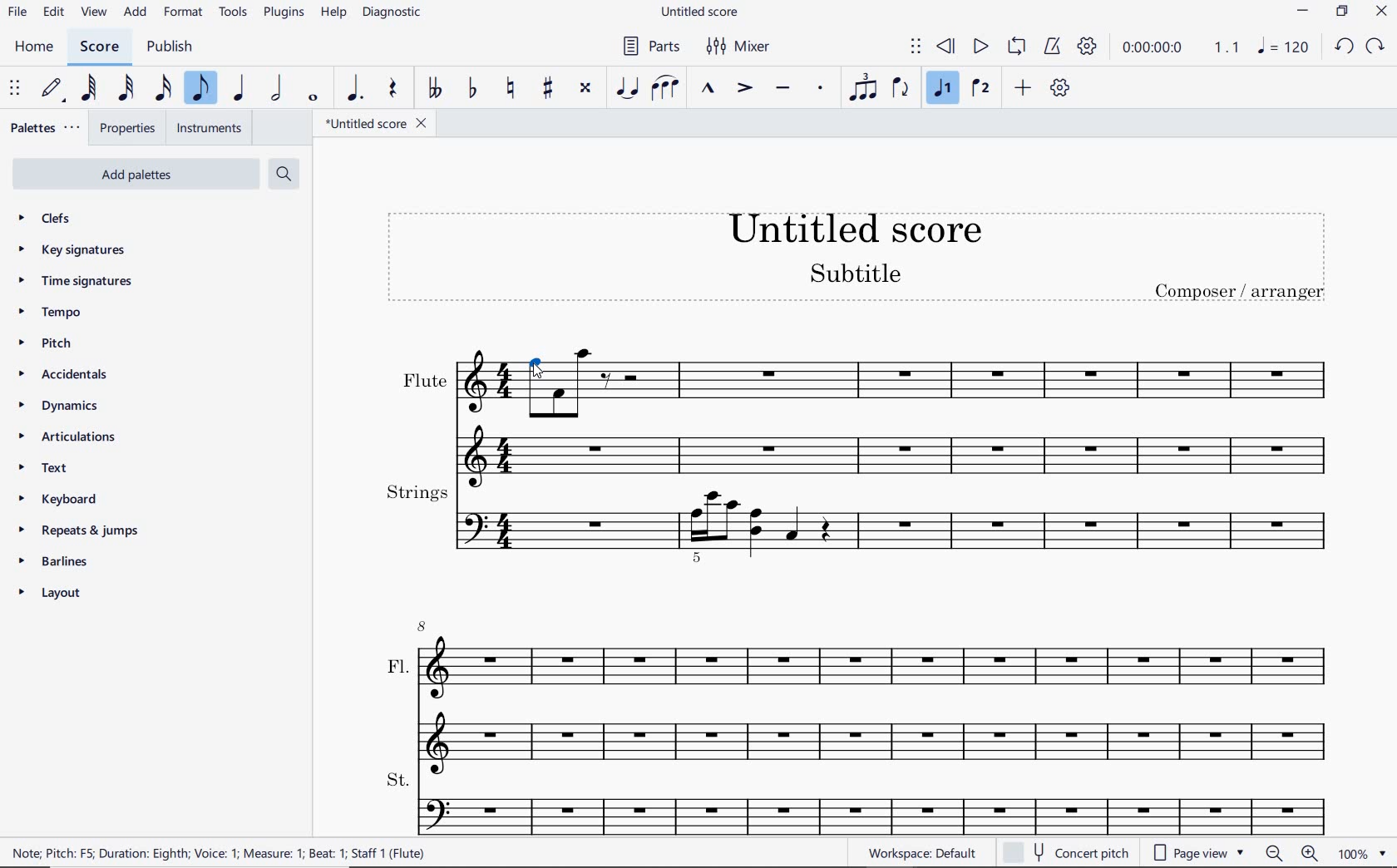  What do you see at coordinates (47, 126) in the screenshot?
I see `palettes` at bounding box center [47, 126].